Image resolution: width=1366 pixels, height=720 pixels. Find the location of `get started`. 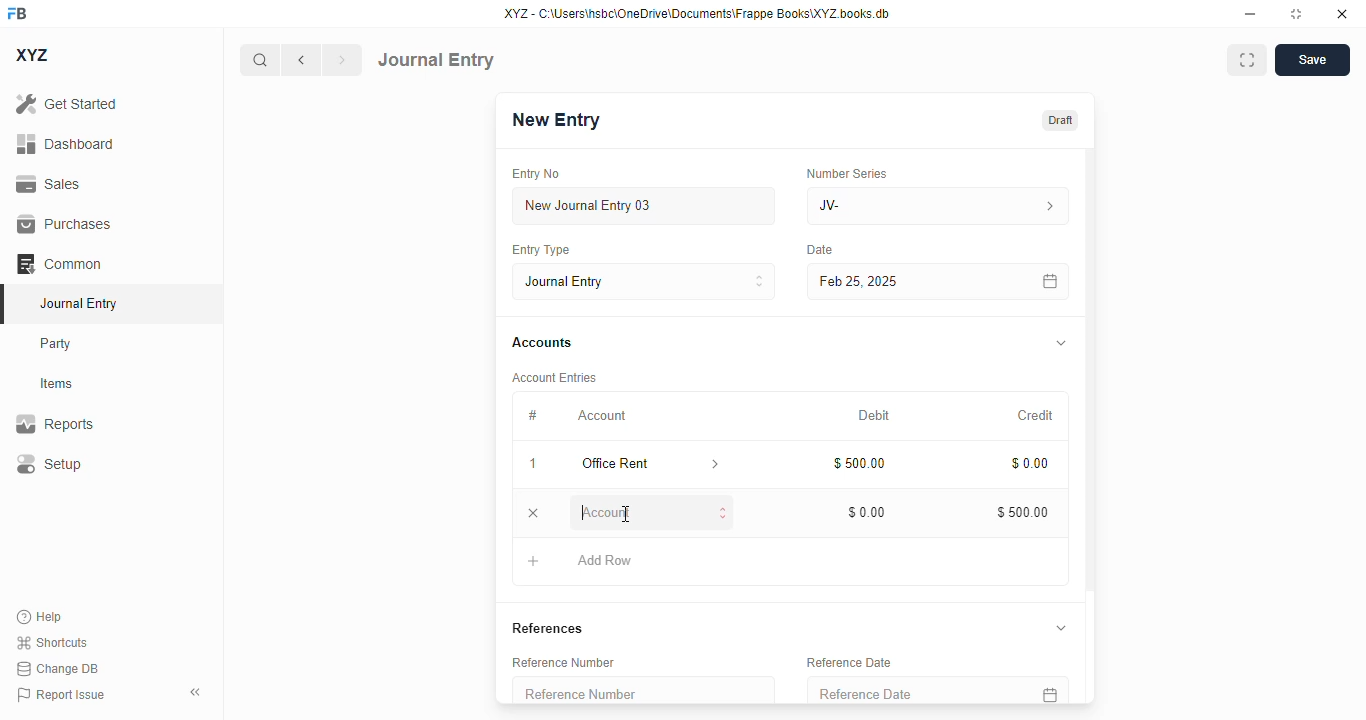

get started is located at coordinates (66, 103).